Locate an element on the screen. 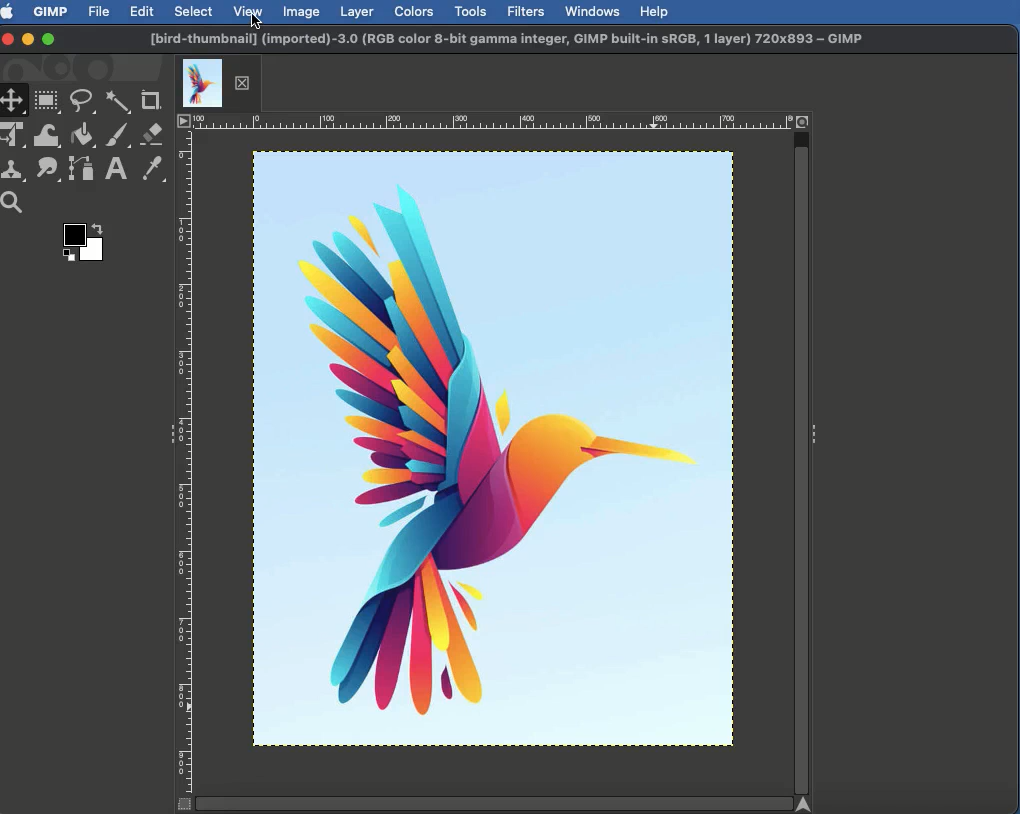  current Tab is located at coordinates (202, 81).